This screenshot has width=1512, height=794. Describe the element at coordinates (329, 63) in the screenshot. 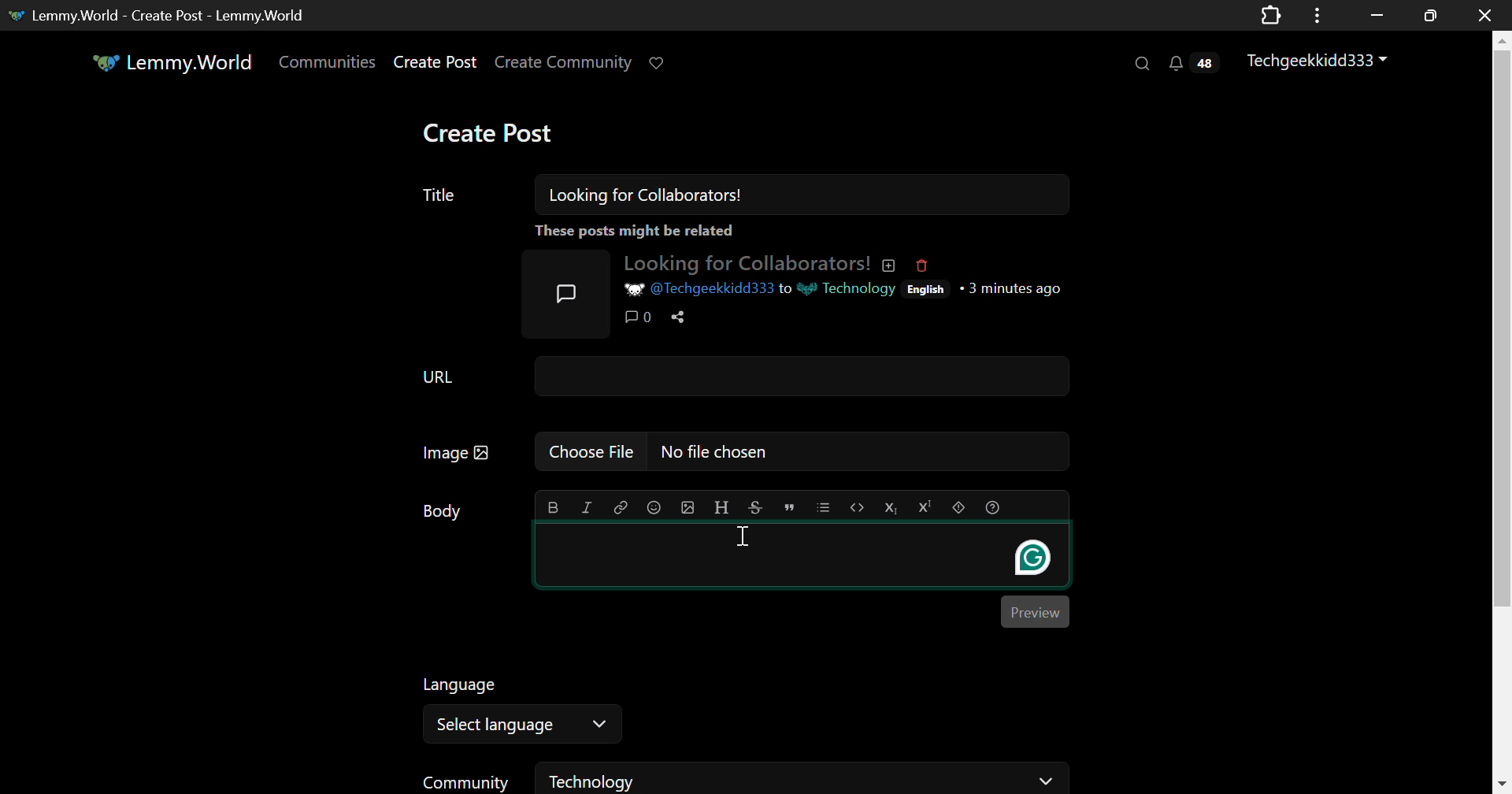

I see `Communities` at that location.